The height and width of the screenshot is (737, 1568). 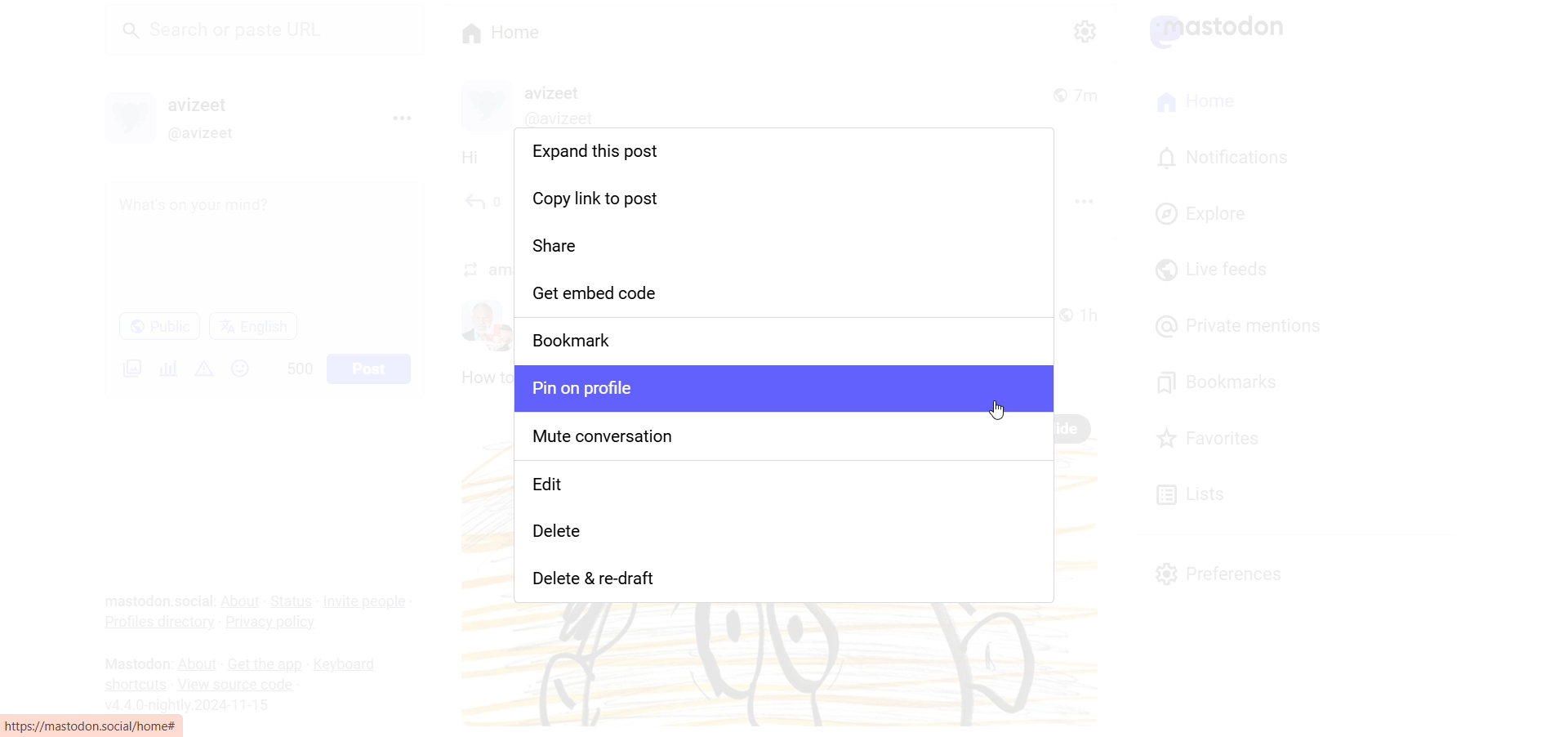 I want to click on Get the App, so click(x=264, y=665).